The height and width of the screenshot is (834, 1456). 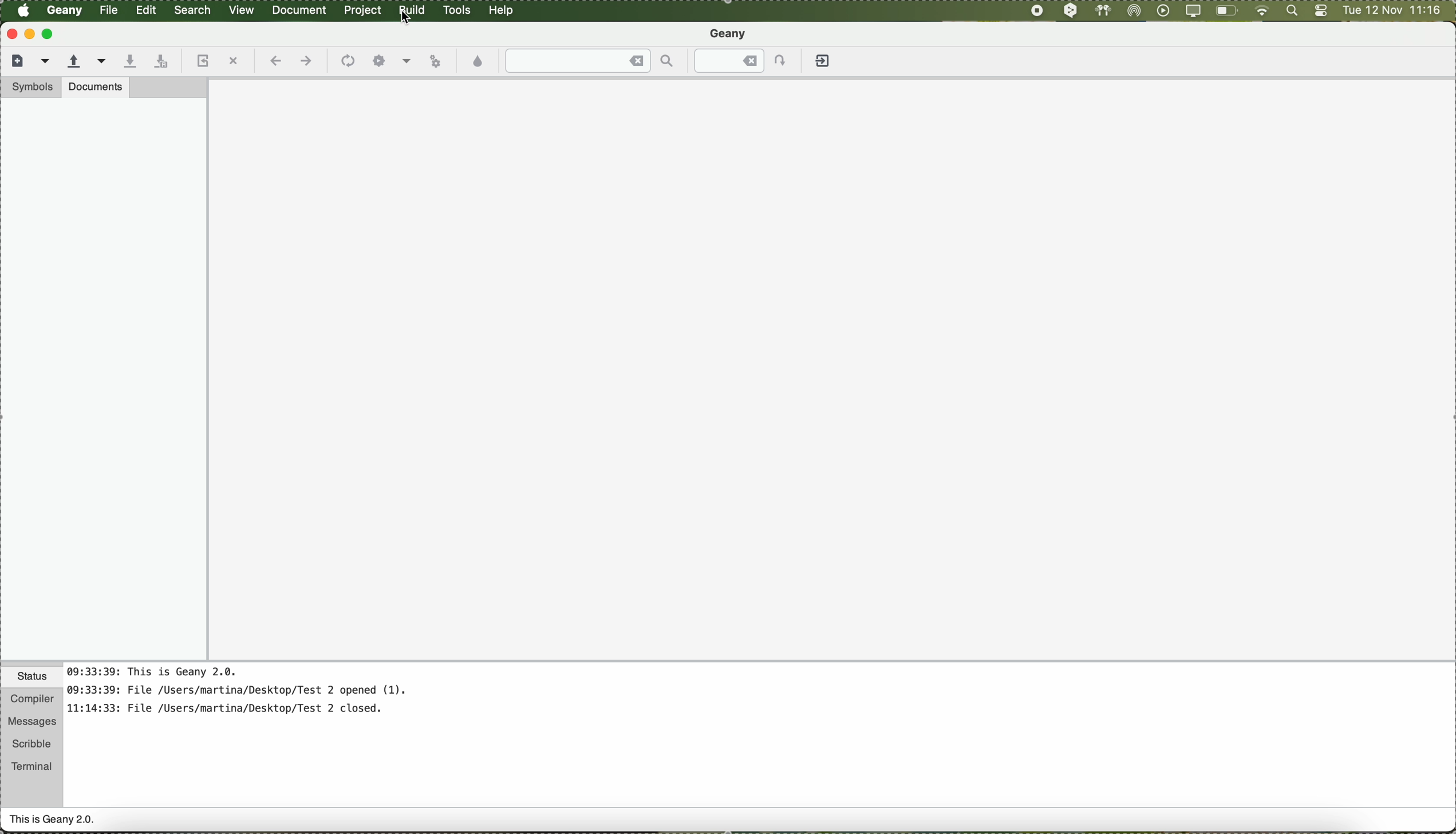 I want to click on status, so click(x=32, y=678).